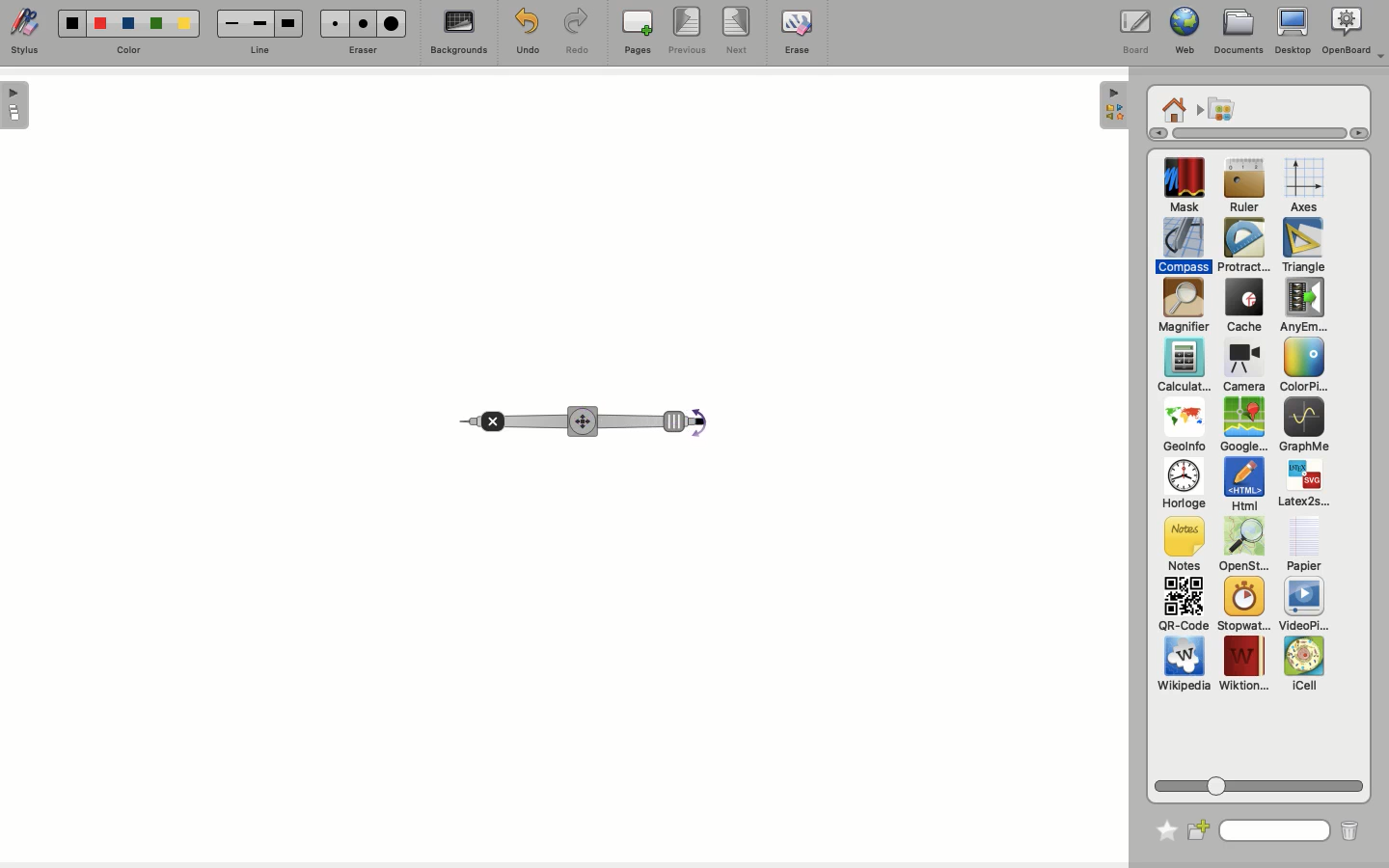  Describe the element at coordinates (1300, 366) in the screenshot. I see `Color` at that location.